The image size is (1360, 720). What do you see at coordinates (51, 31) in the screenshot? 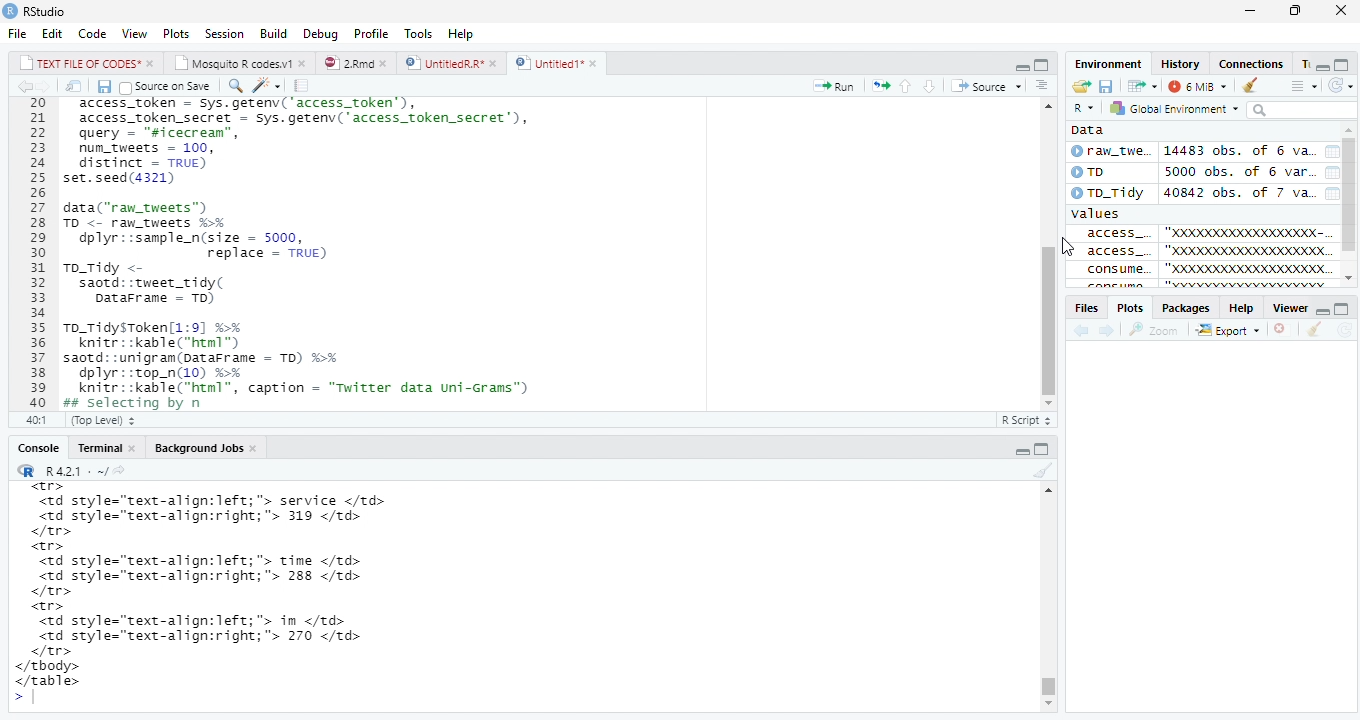
I see `Edit` at bounding box center [51, 31].